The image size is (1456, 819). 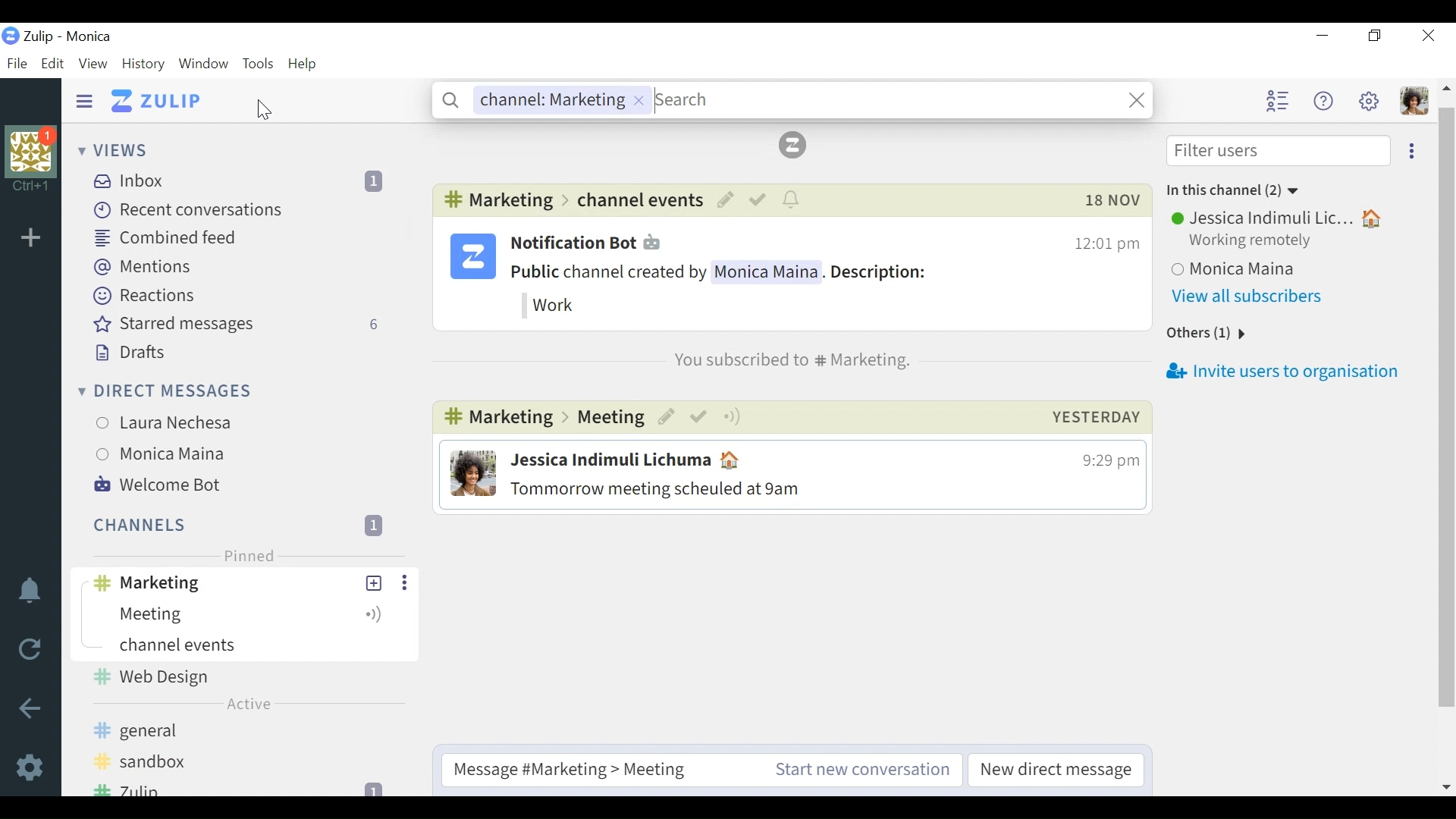 What do you see at coordinates (30, 767) in the screenshot?
I see `Settings` at bounding box center [30, 767].